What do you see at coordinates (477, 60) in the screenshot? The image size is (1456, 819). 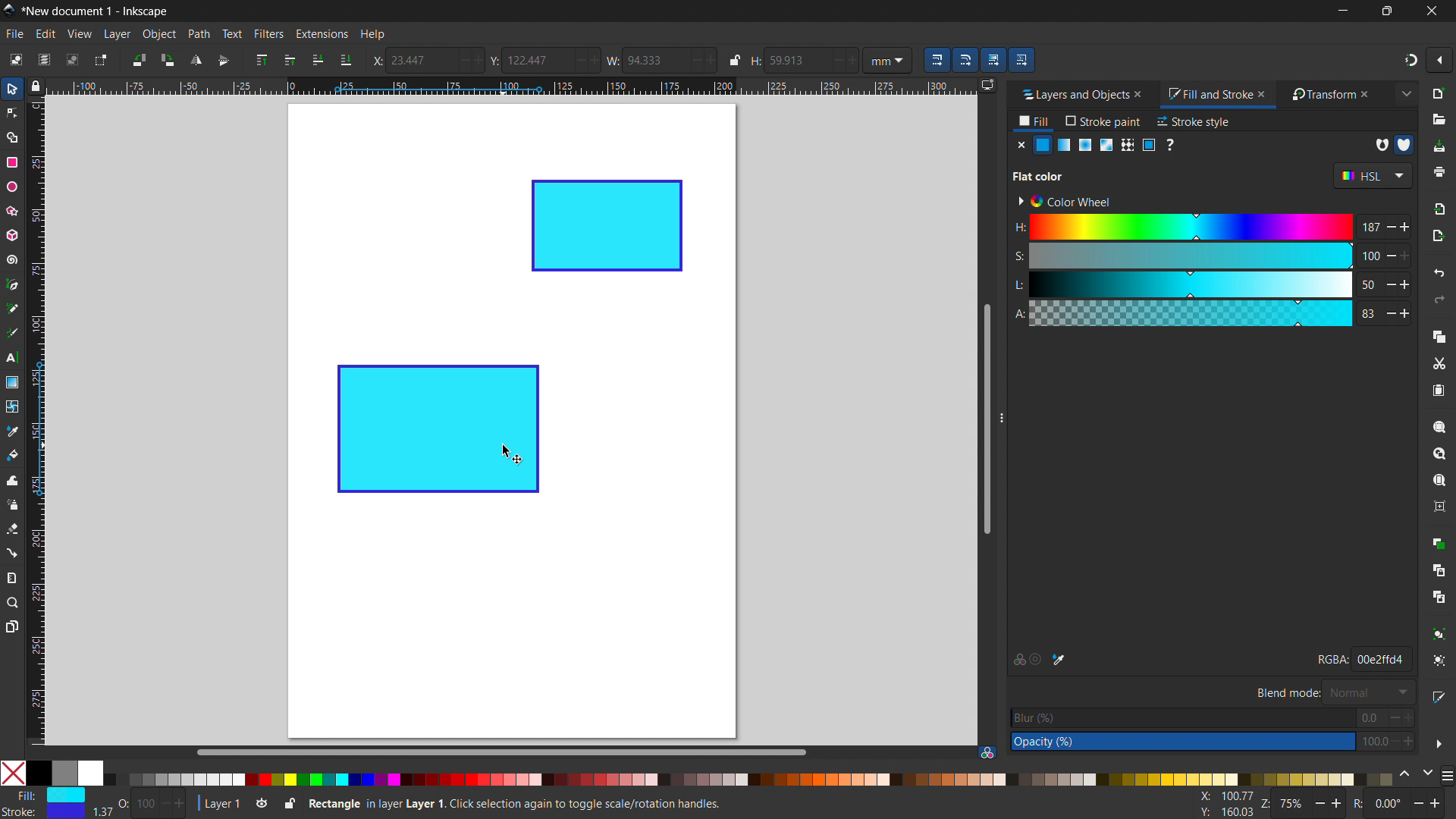 I see `Add/ increase` at bounding box center [477, 60].